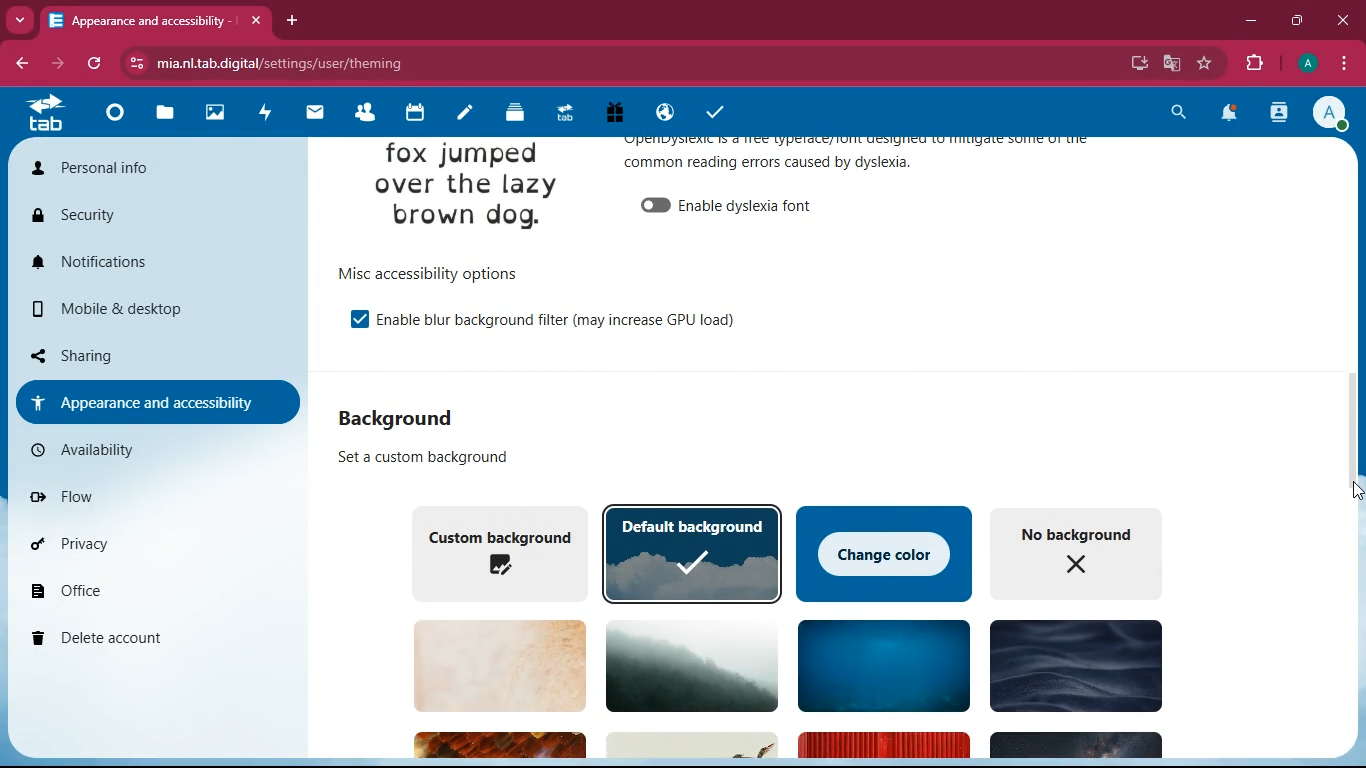  What do you see at coordinates (1355, 415) in the screenshot?
I see `scroll bar` at bounding box center [1355, 415].